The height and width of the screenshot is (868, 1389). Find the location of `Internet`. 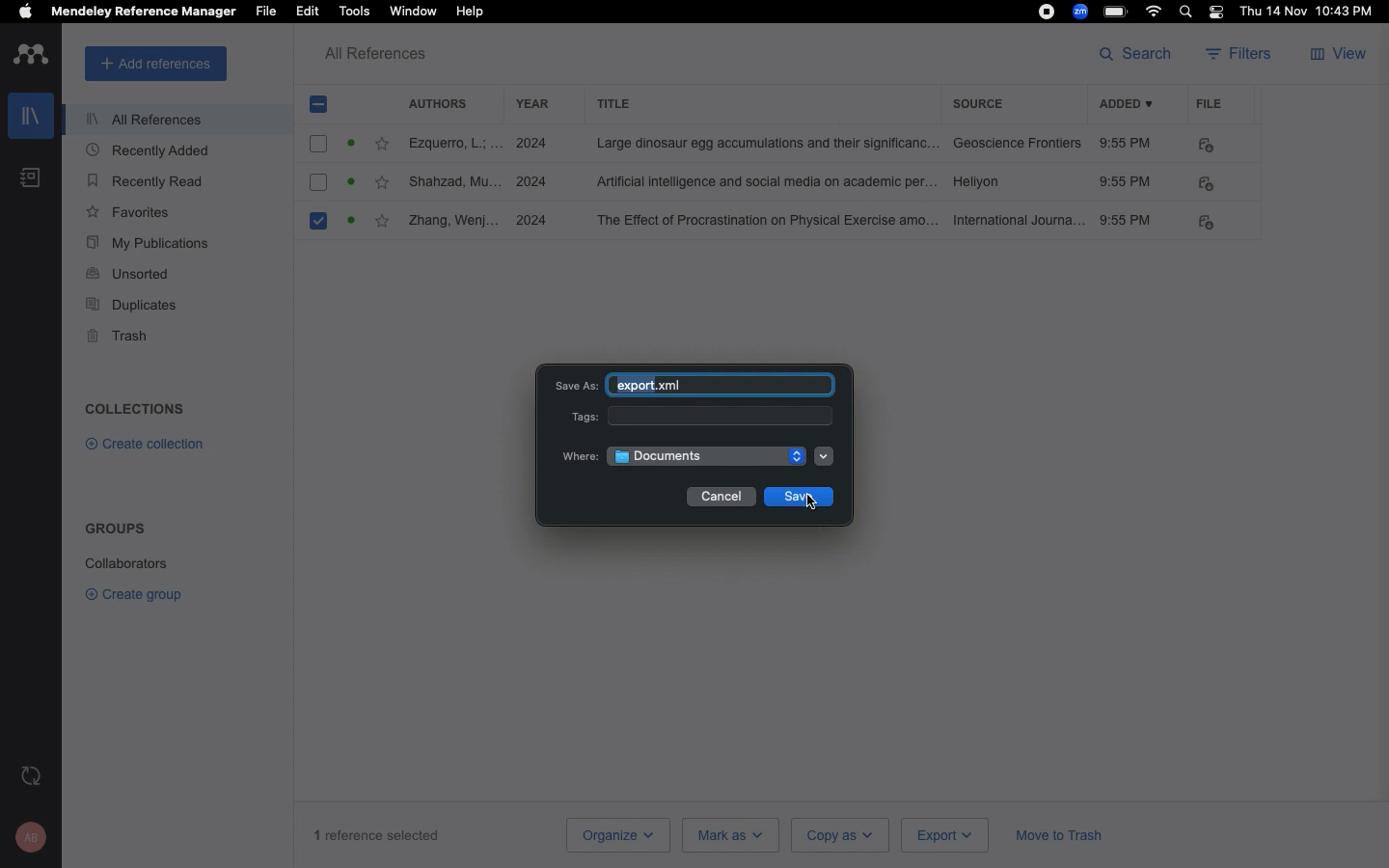

Internet is located at coordinates (1154, 12).